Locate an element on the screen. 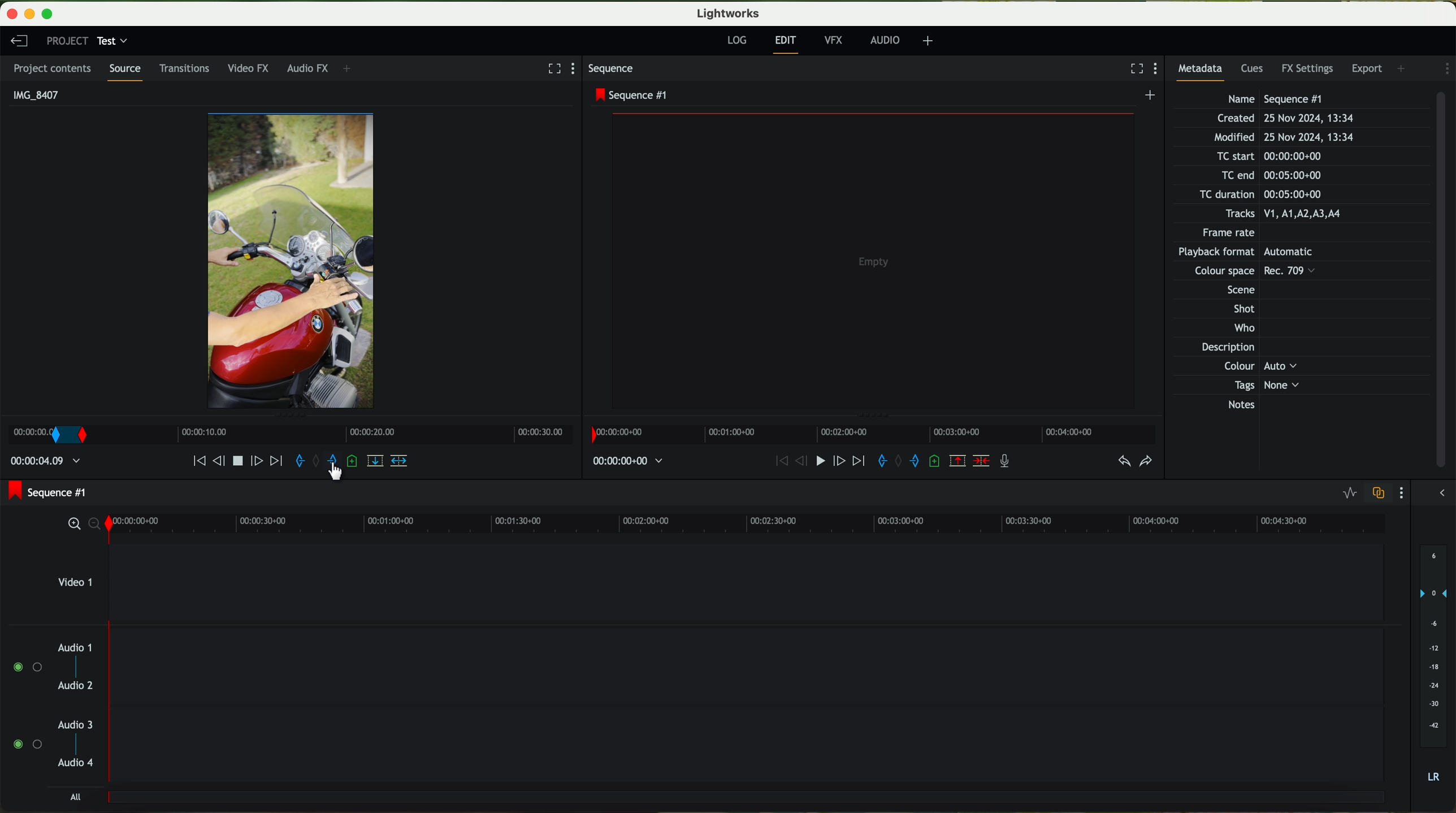 The image size is (1456, 813). add an out mark is located at coordinates (909, 461).